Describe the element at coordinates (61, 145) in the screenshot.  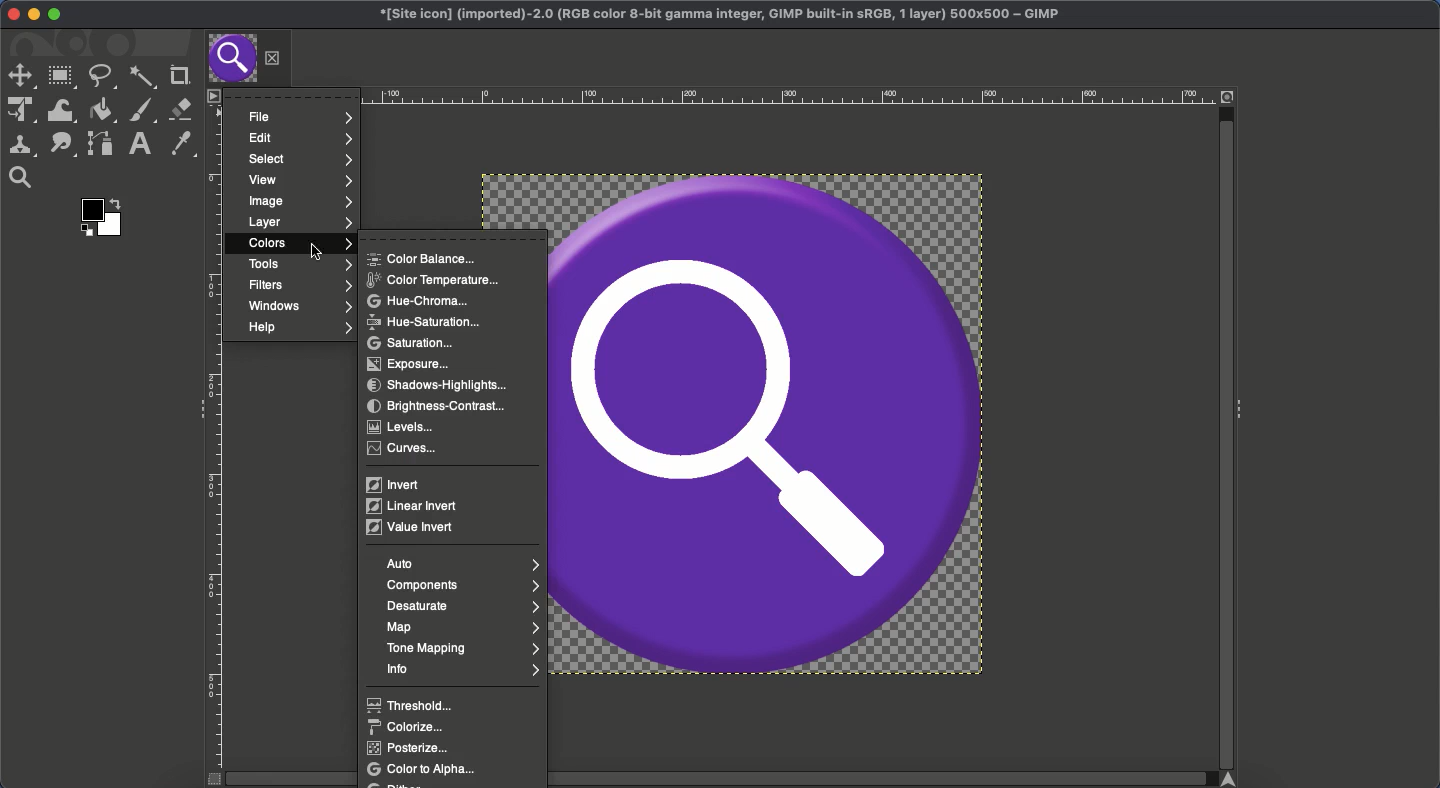
I see `Smudge tool` at that location.